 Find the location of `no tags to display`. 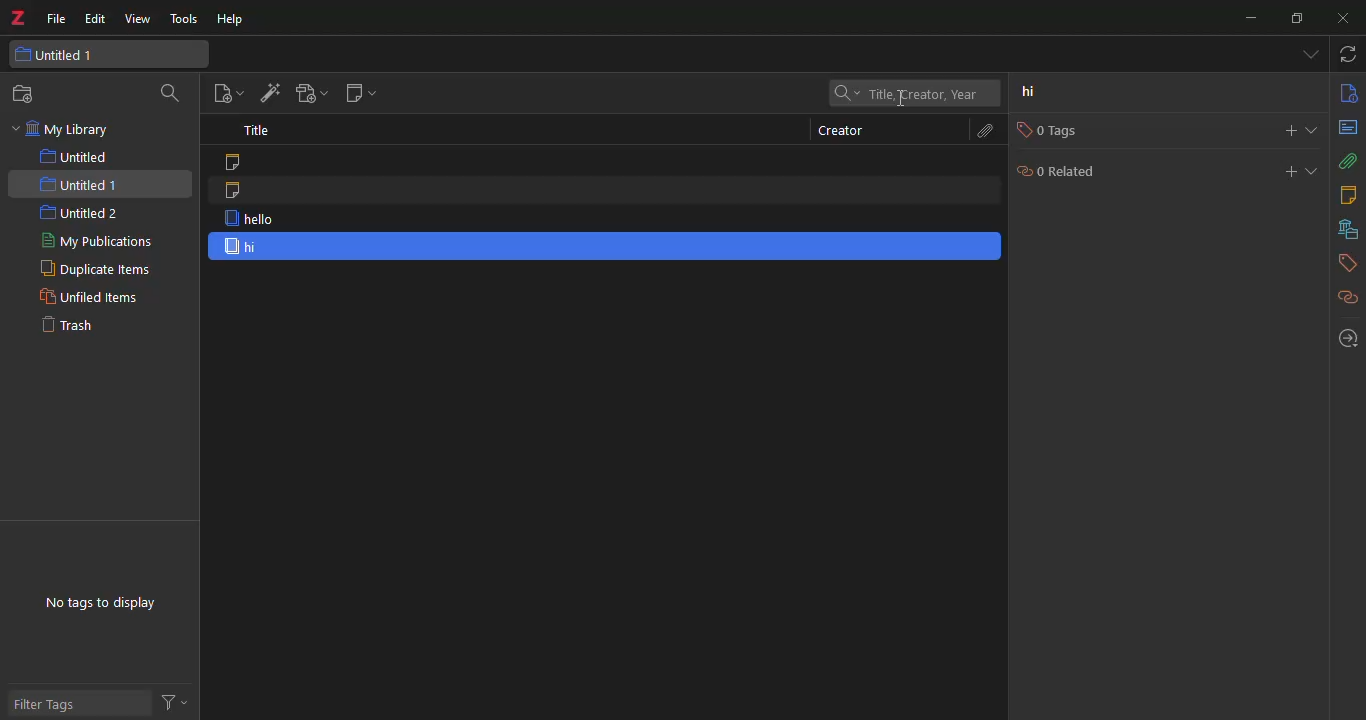

no tags to display is located at coordinates (103, 603).